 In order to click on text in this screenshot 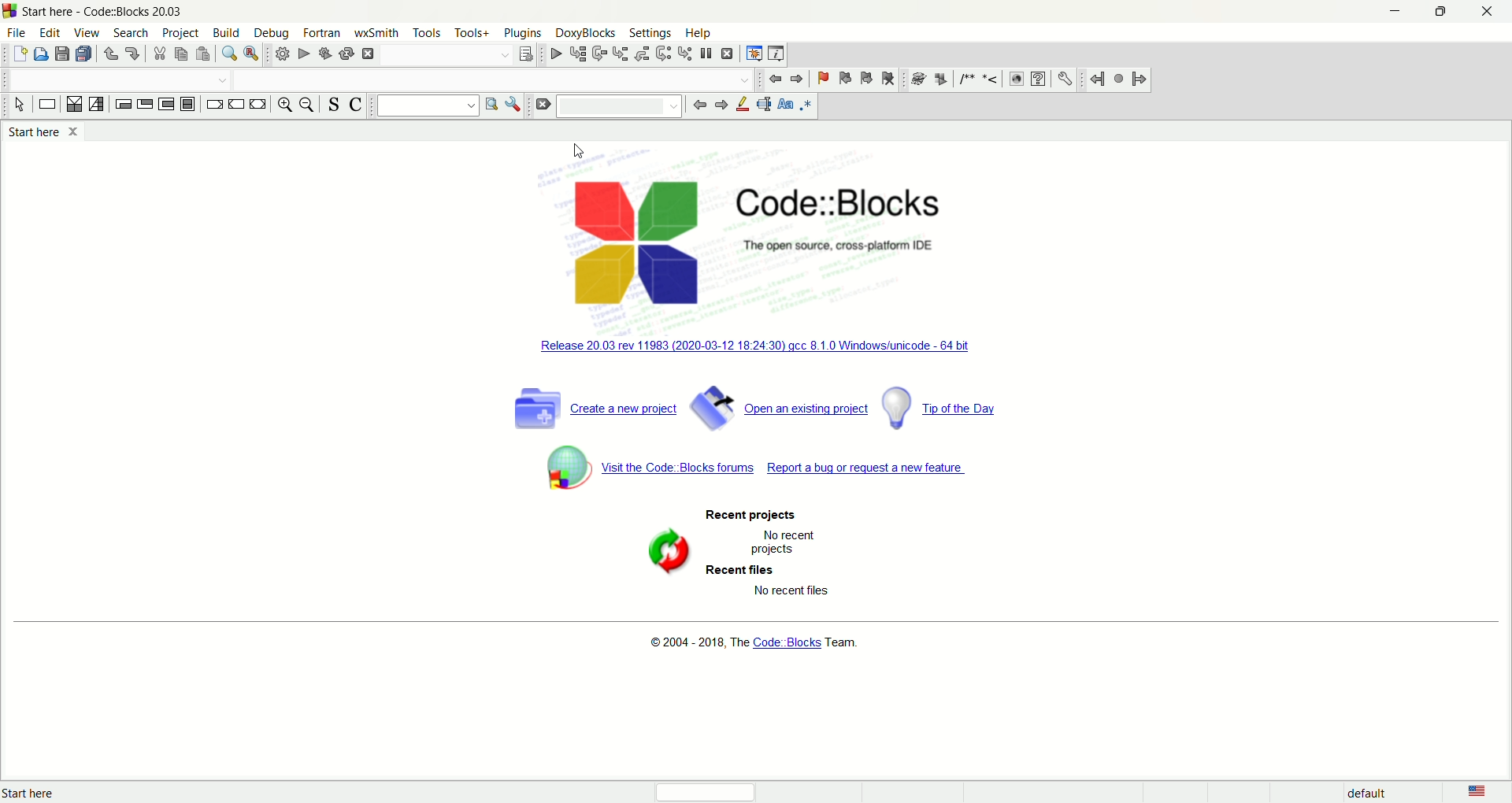, I will do `click(801, 542)`.